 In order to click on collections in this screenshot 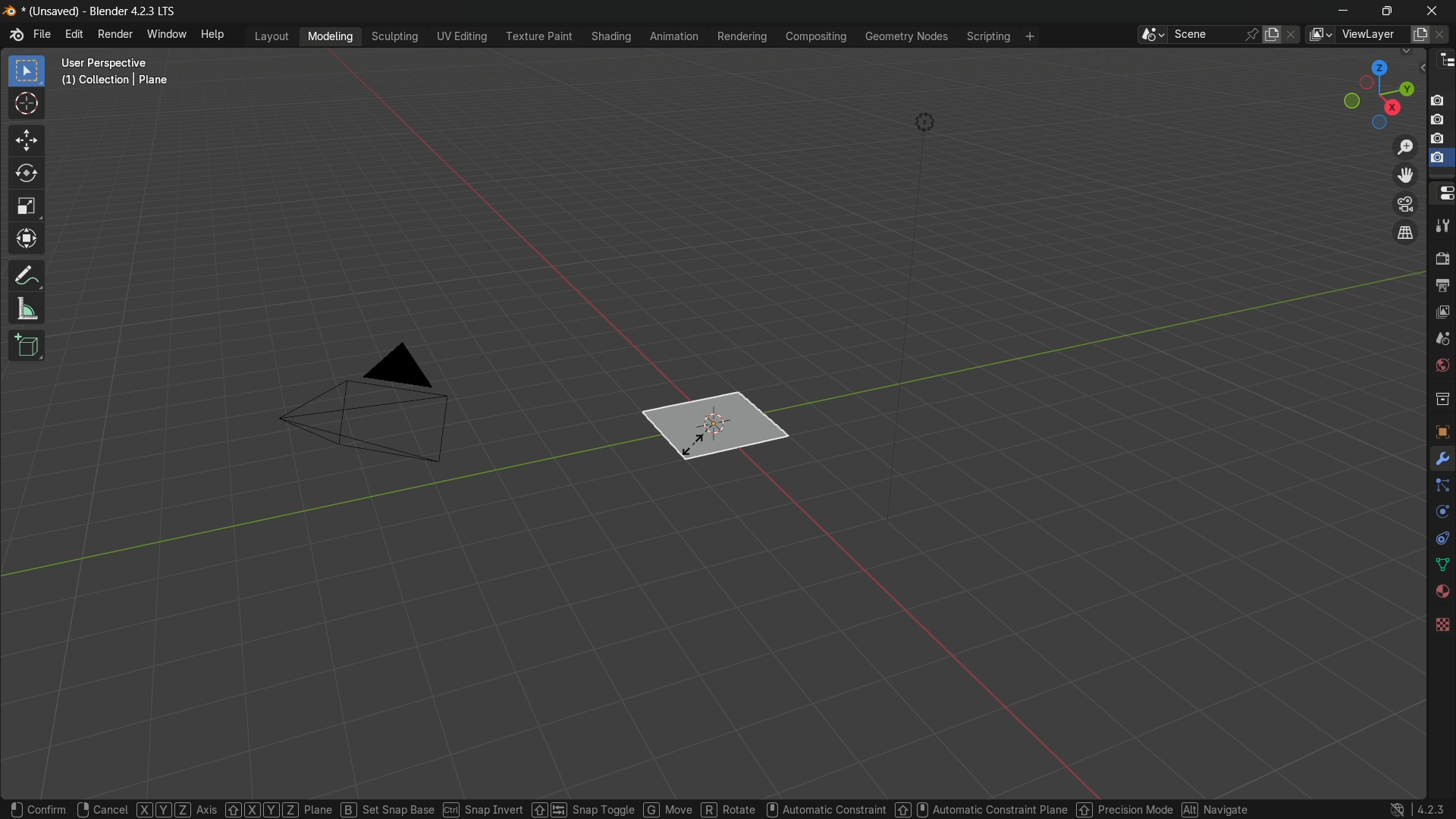, I will do `click(1442, 397)`.